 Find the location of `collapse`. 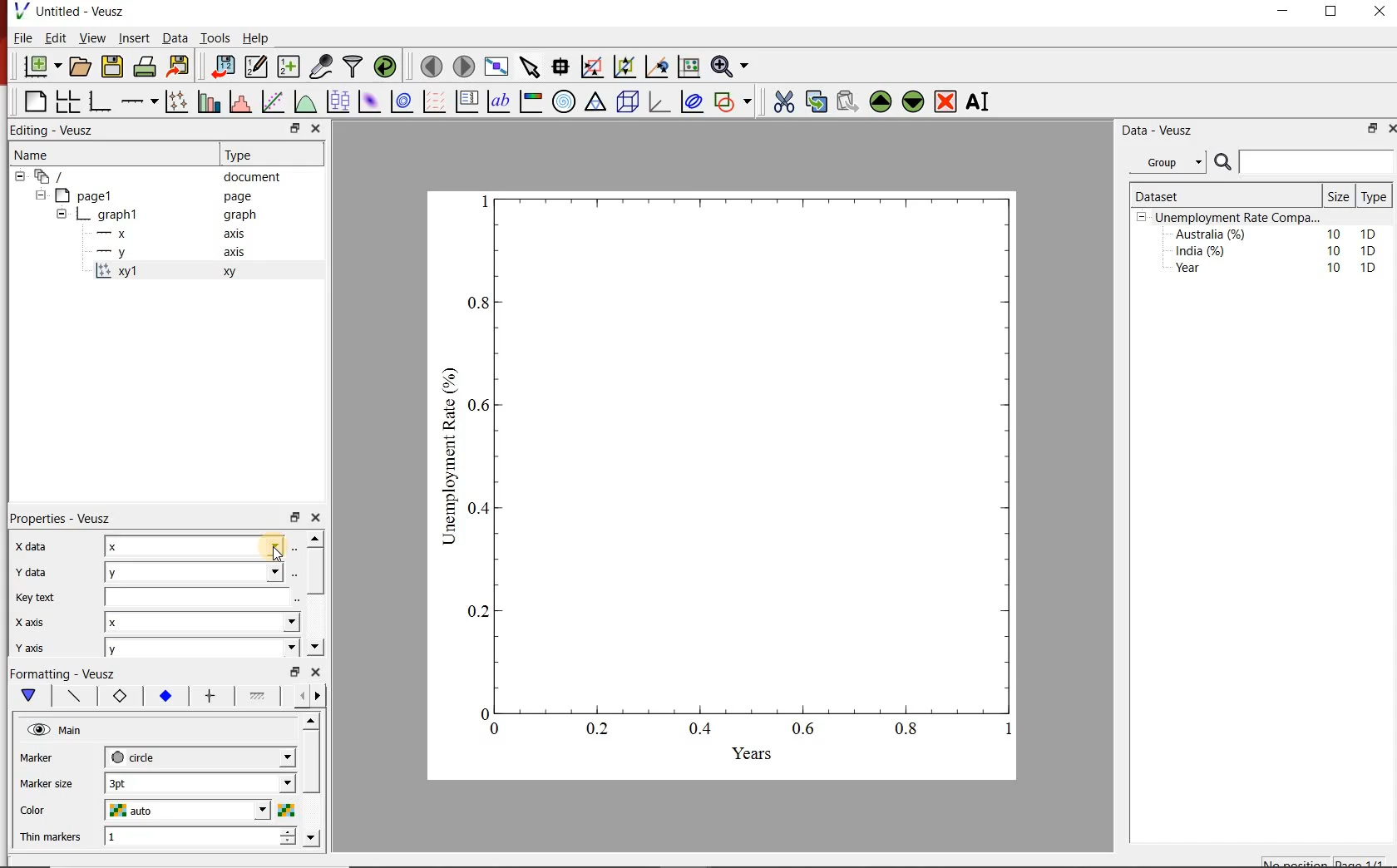

collapse is located at coordinates (61, 216).